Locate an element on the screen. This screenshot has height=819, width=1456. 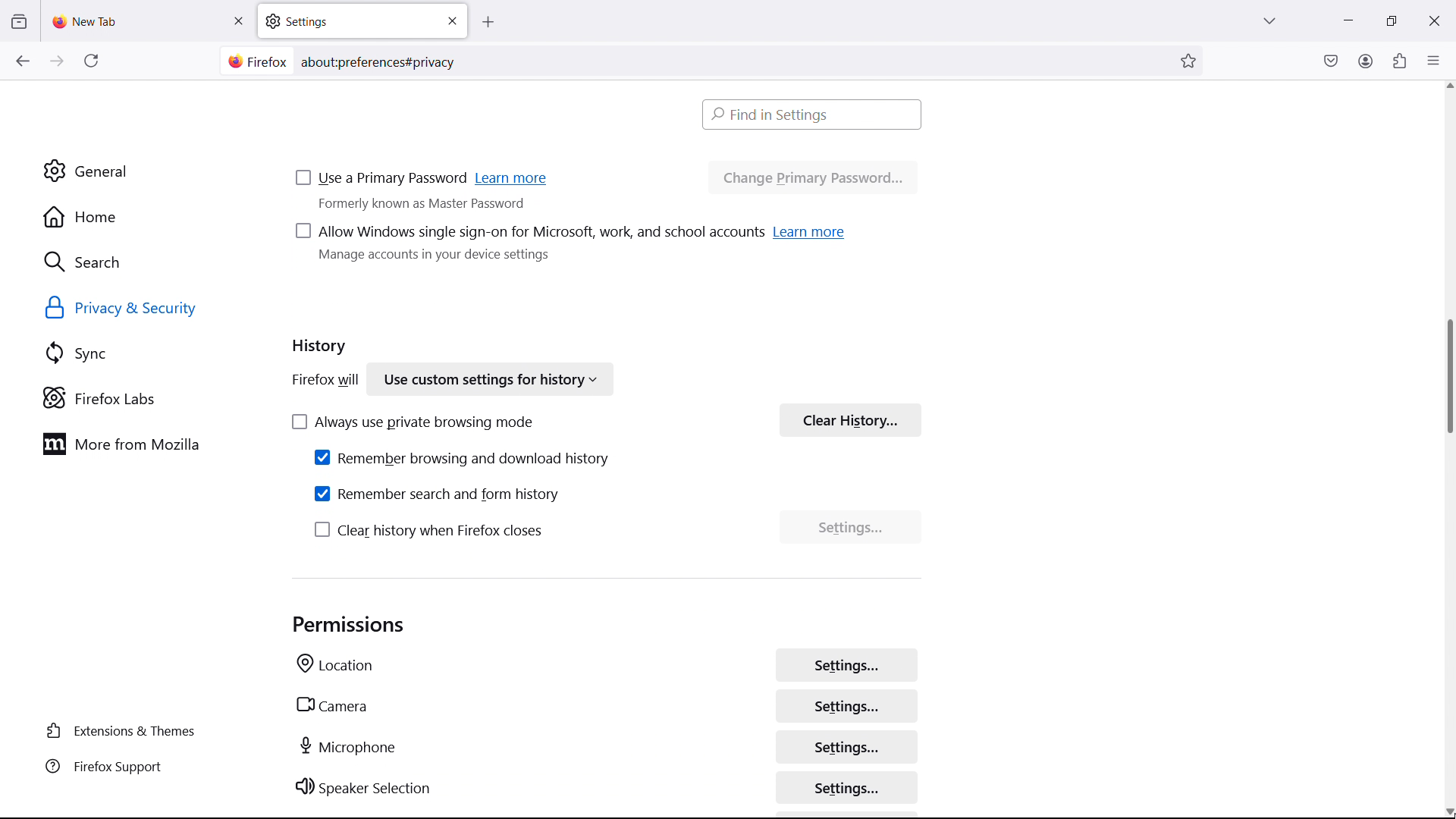
open application menu is located at coordinates (1433, 59).